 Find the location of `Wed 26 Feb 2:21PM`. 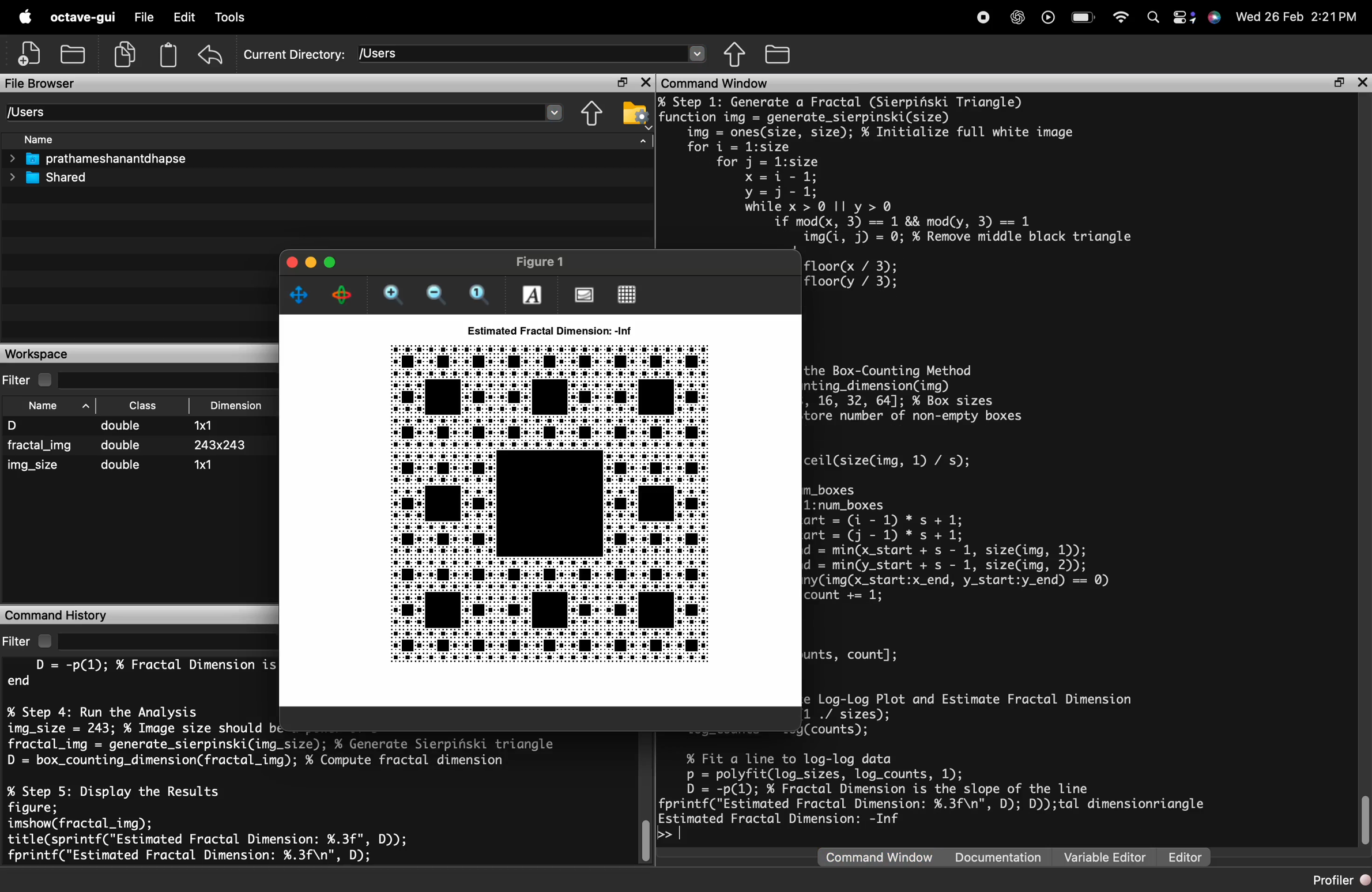

Wed 26 Feb 2:21PM is located at coordinates (1298, 14).